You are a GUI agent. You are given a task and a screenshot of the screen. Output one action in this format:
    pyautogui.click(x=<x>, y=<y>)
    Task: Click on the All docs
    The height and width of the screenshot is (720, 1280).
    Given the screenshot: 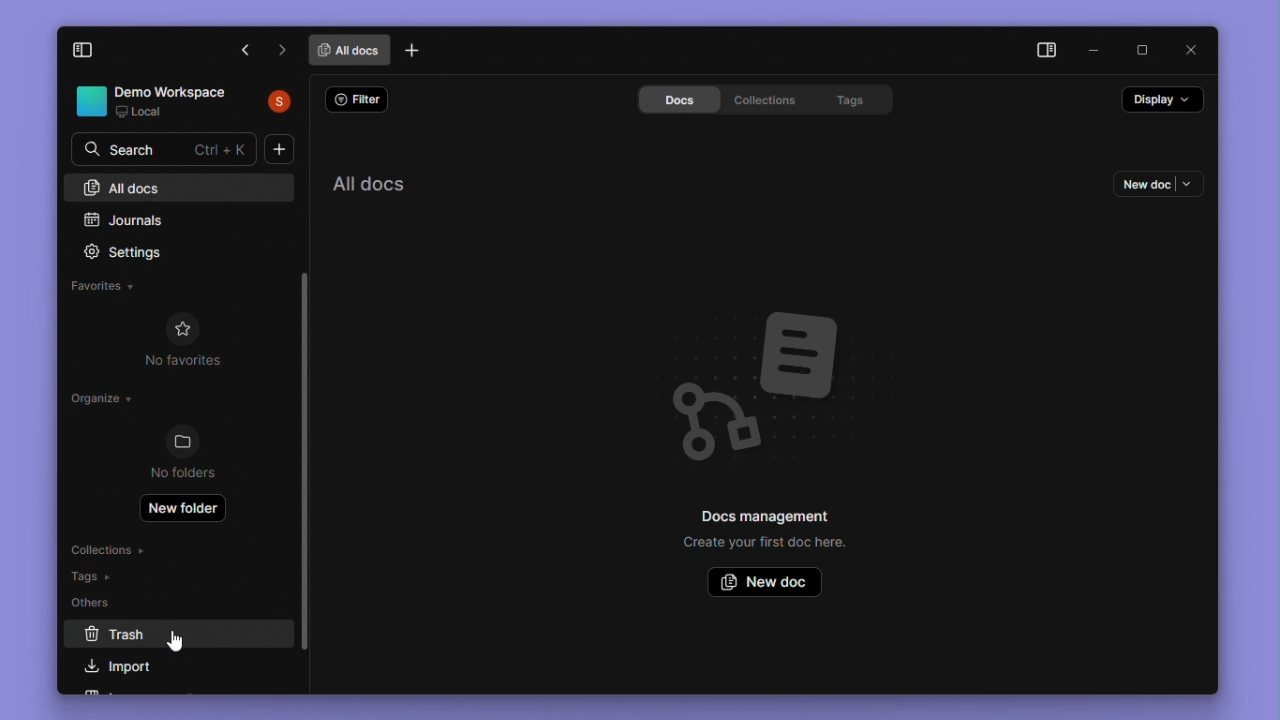 What is the action you would take?
    pyautogui.click(x=180, y=188)
    